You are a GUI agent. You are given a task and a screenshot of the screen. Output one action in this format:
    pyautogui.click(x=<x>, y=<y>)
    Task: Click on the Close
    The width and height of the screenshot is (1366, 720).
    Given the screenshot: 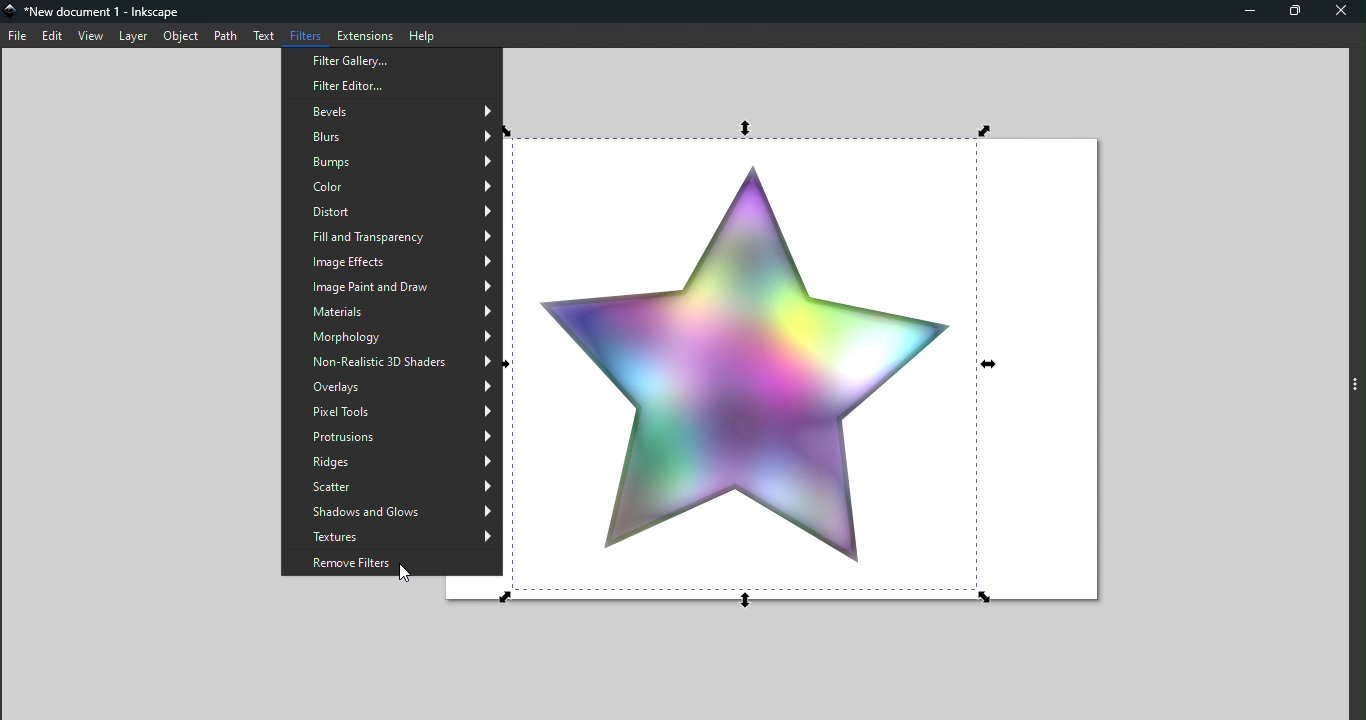 What is the action you would take?
    pyautogui.click(x=1342, y=14)
    